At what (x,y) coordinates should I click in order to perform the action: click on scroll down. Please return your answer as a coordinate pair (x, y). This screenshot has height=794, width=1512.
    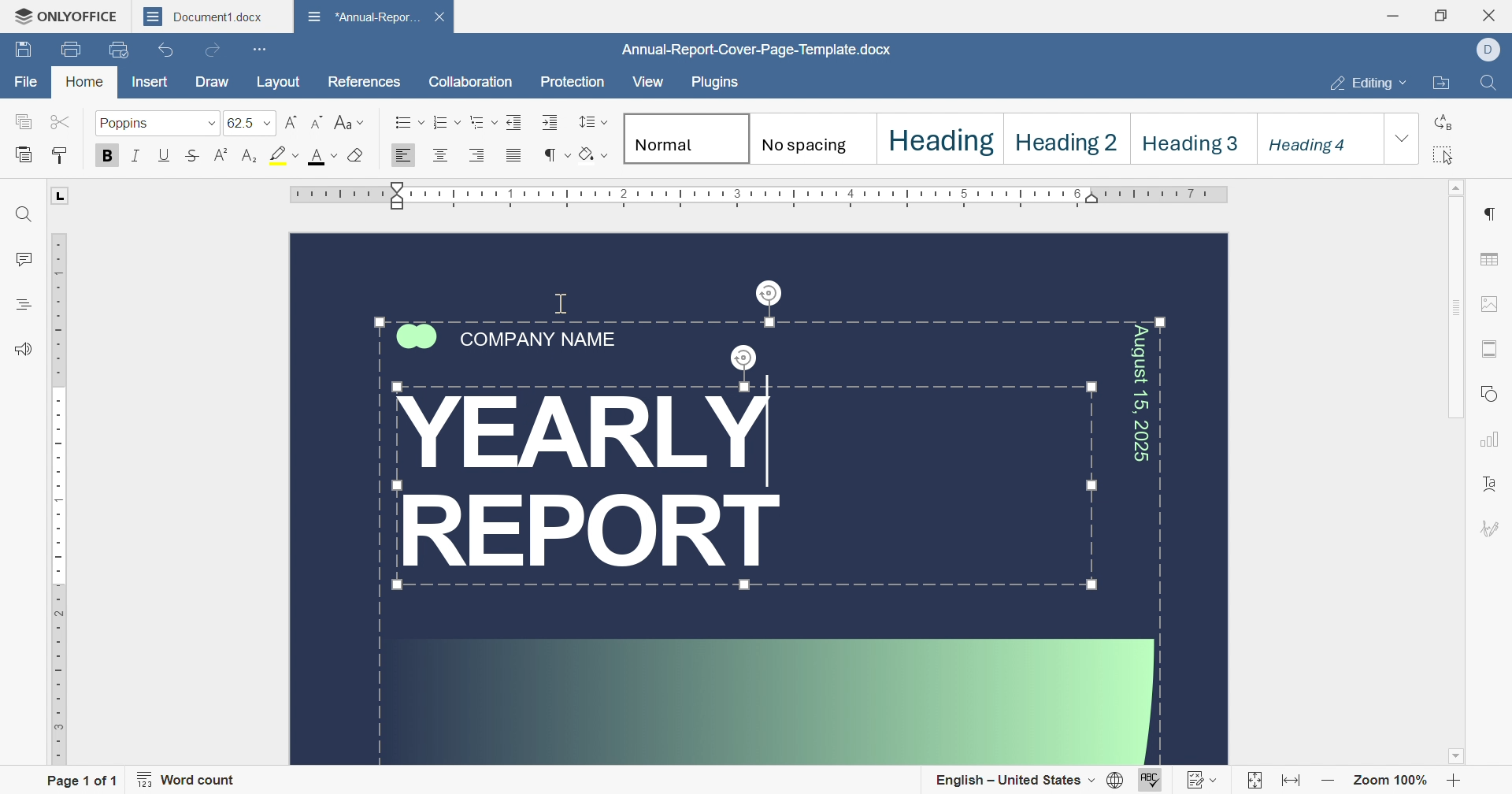
    Looking at the image, I should click on (1461, 762).